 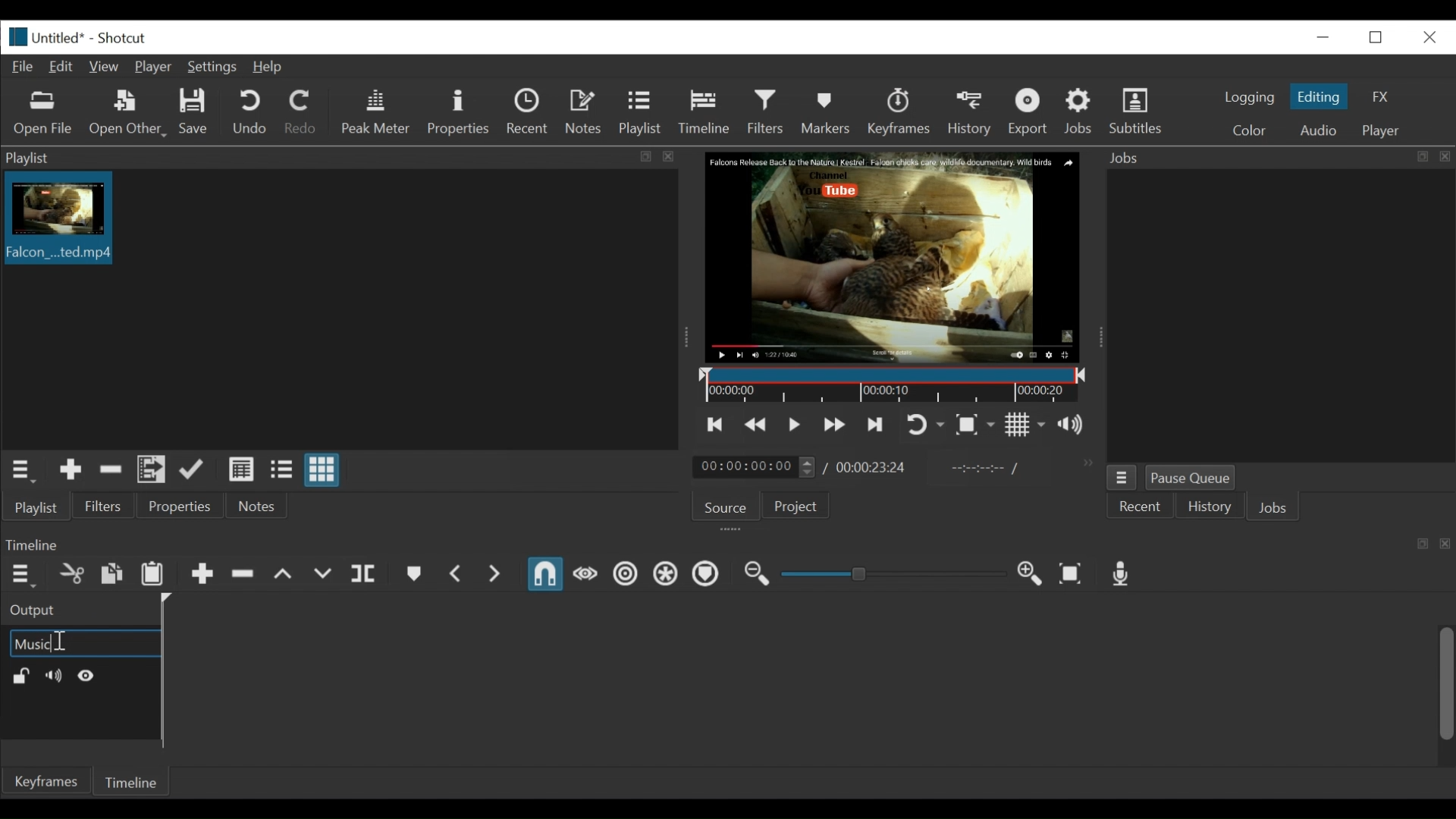 I want to click on Clip thumbnail, so click(x=337, y=309).